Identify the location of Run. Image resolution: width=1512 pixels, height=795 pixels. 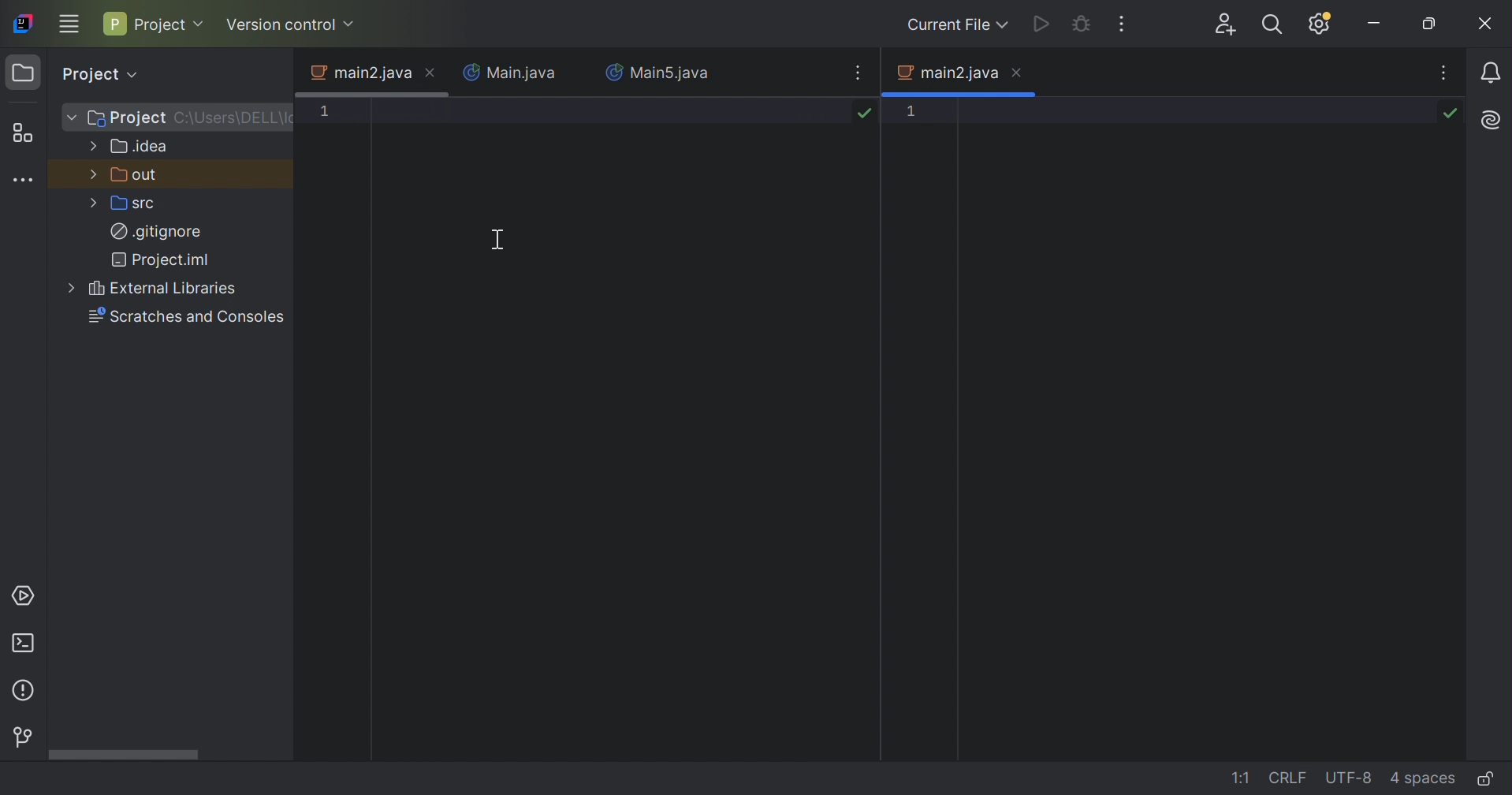
(1045, 24).